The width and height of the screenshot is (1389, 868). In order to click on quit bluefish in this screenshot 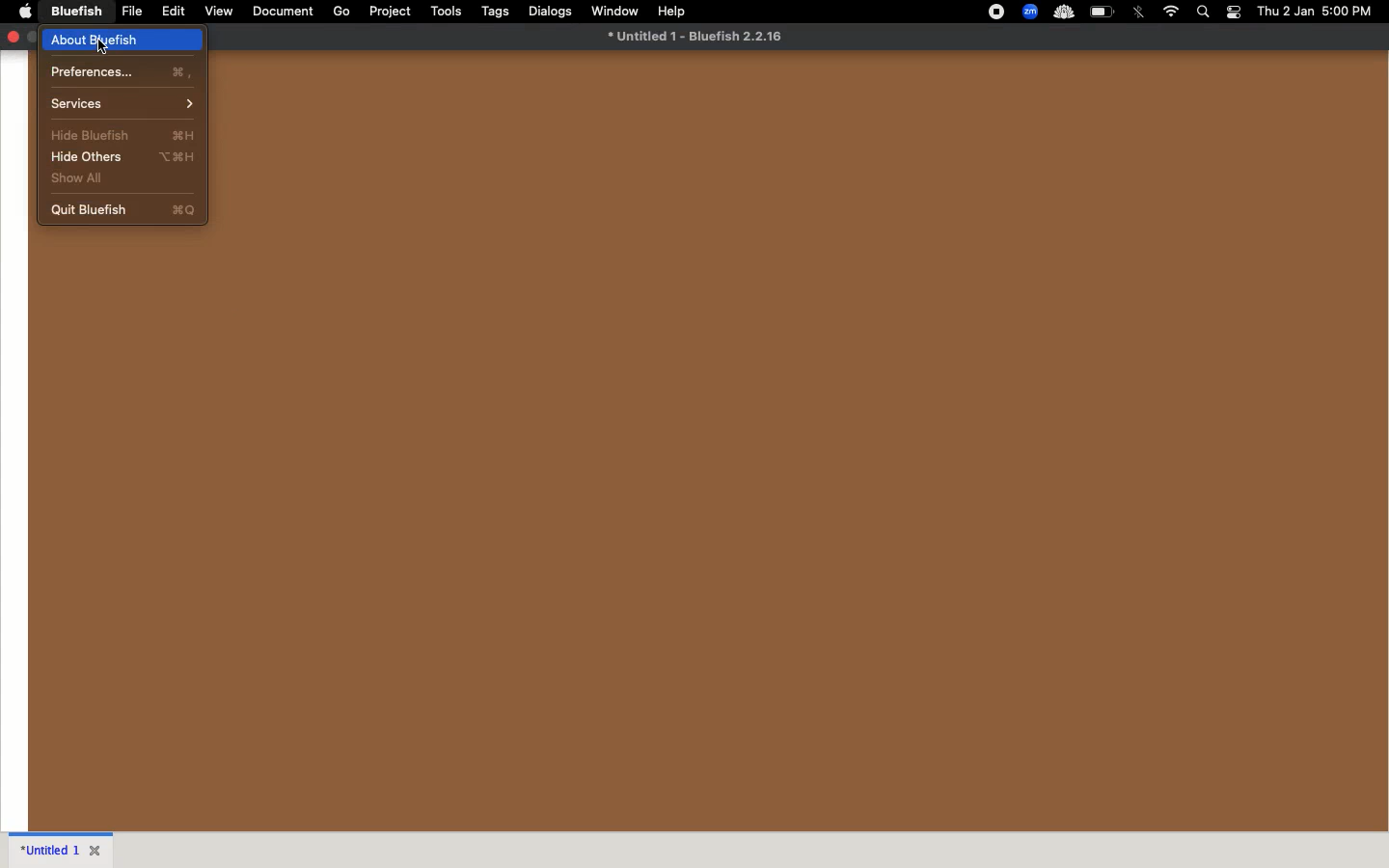, I will do `click(123, 211)`.